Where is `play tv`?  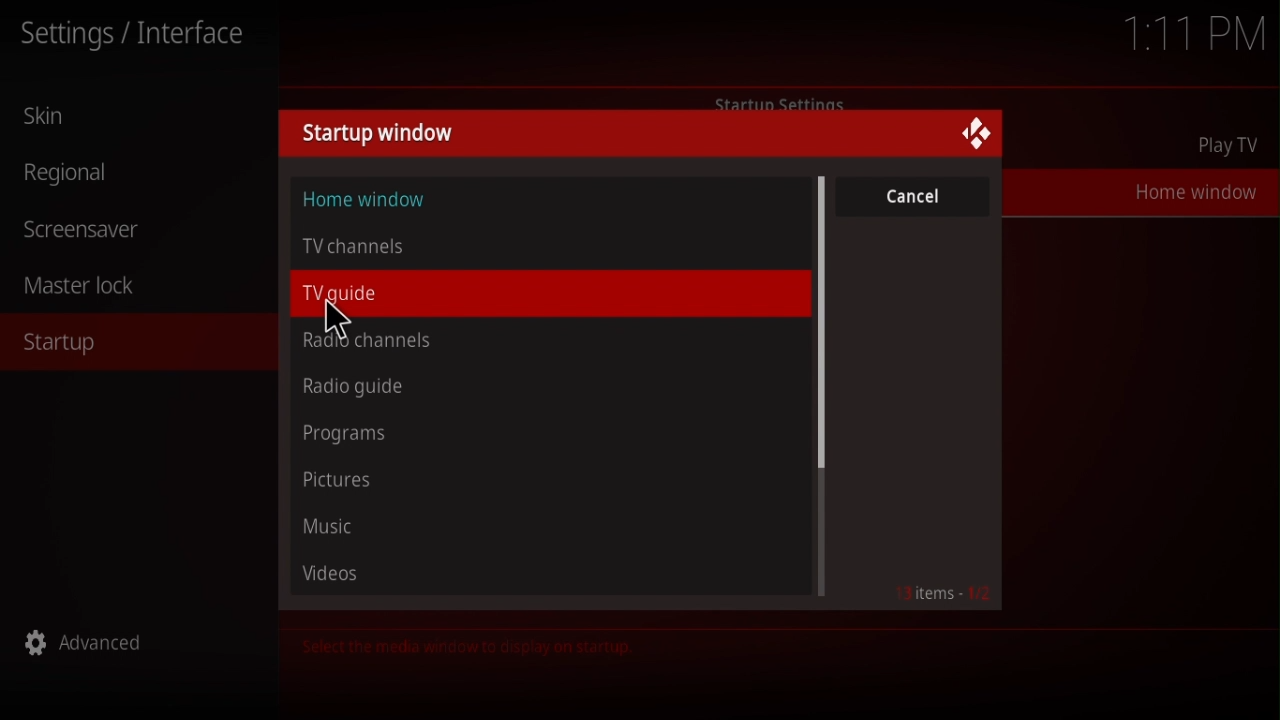 play tv is located at coordinates (1232, 147).